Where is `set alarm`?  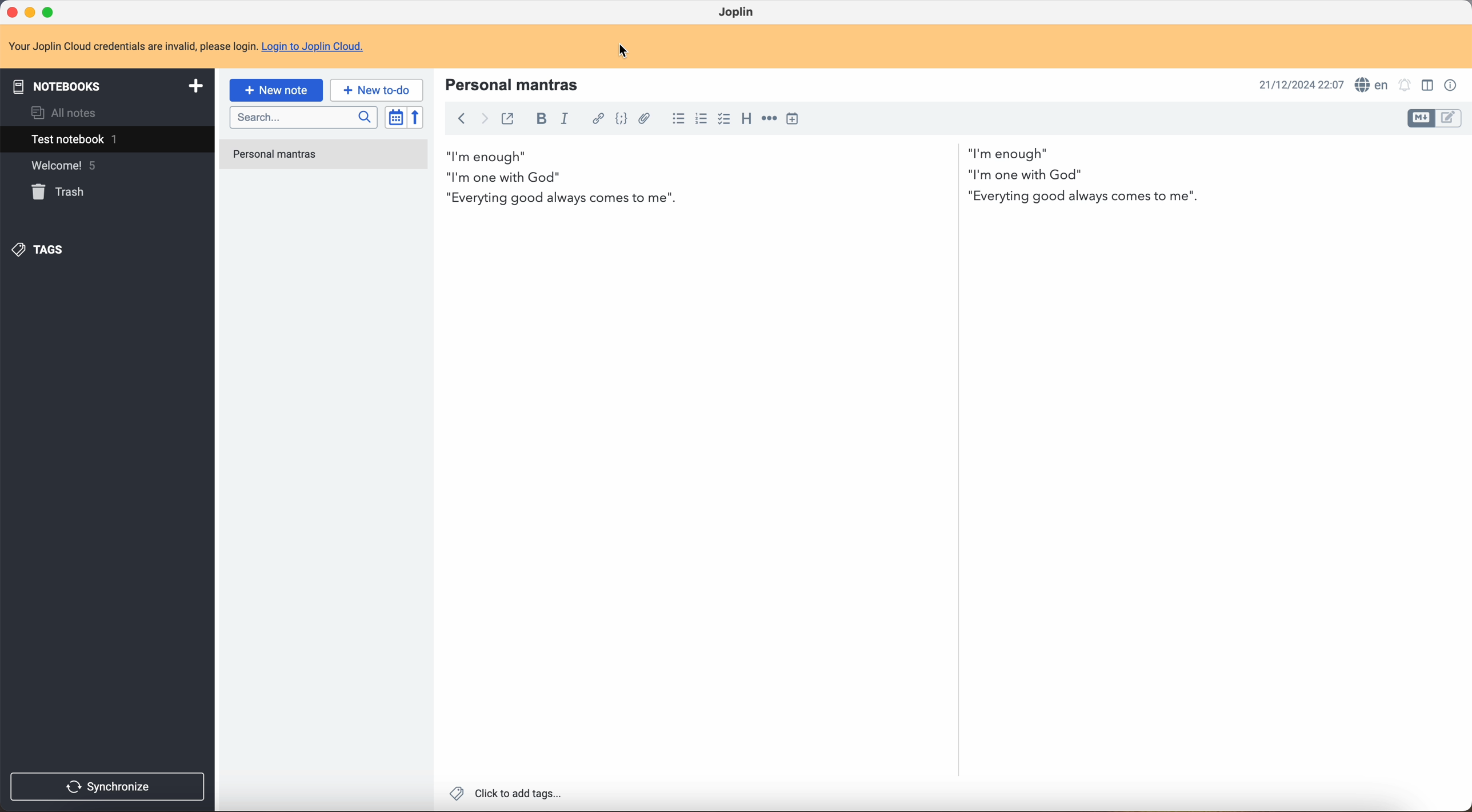
set alarm is located at coordinates (1403, 85).